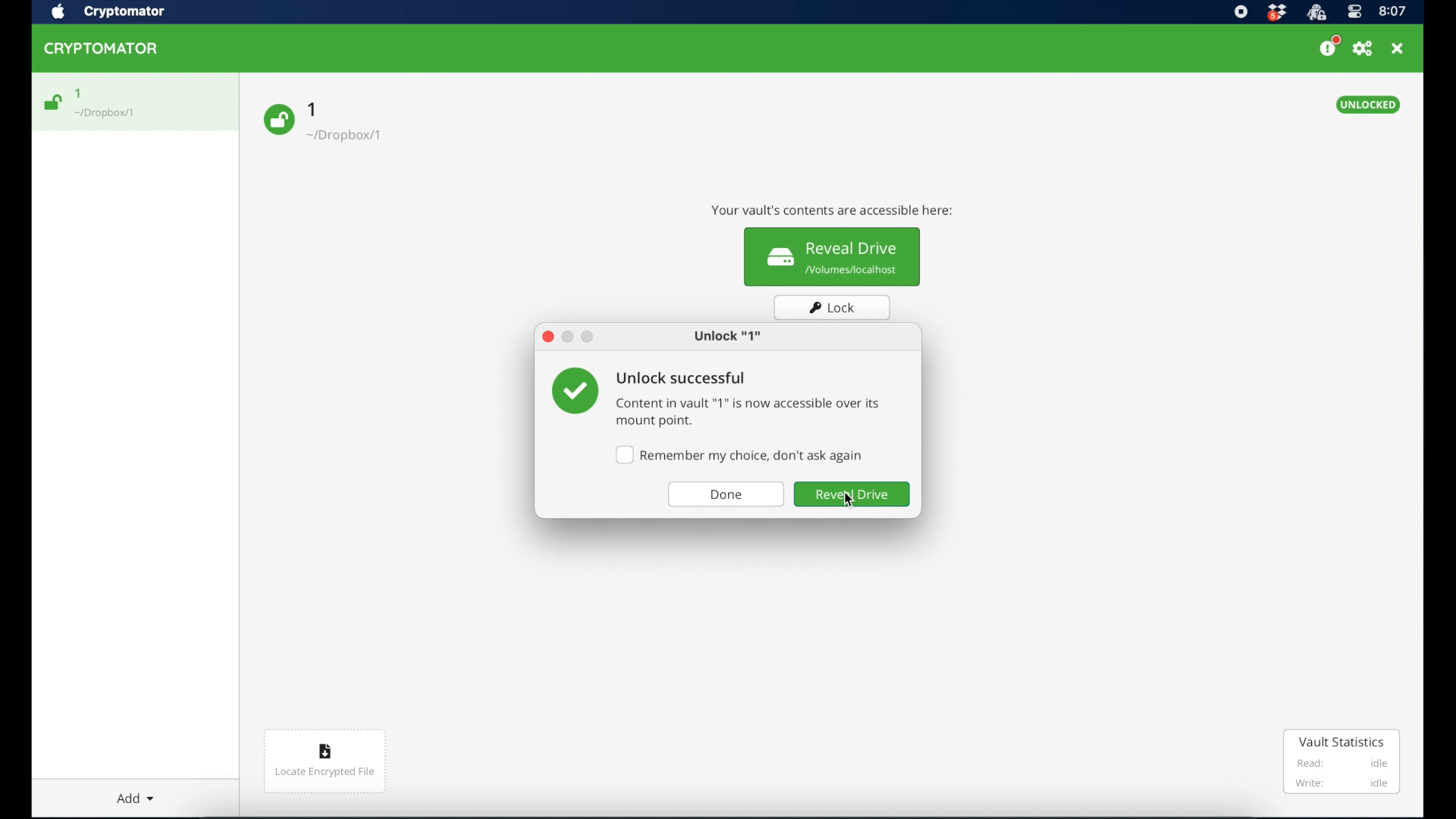 The width and height of the screenshot is (1456, 819). I want to click on 1 Dropbox/1, so click(115, 104).